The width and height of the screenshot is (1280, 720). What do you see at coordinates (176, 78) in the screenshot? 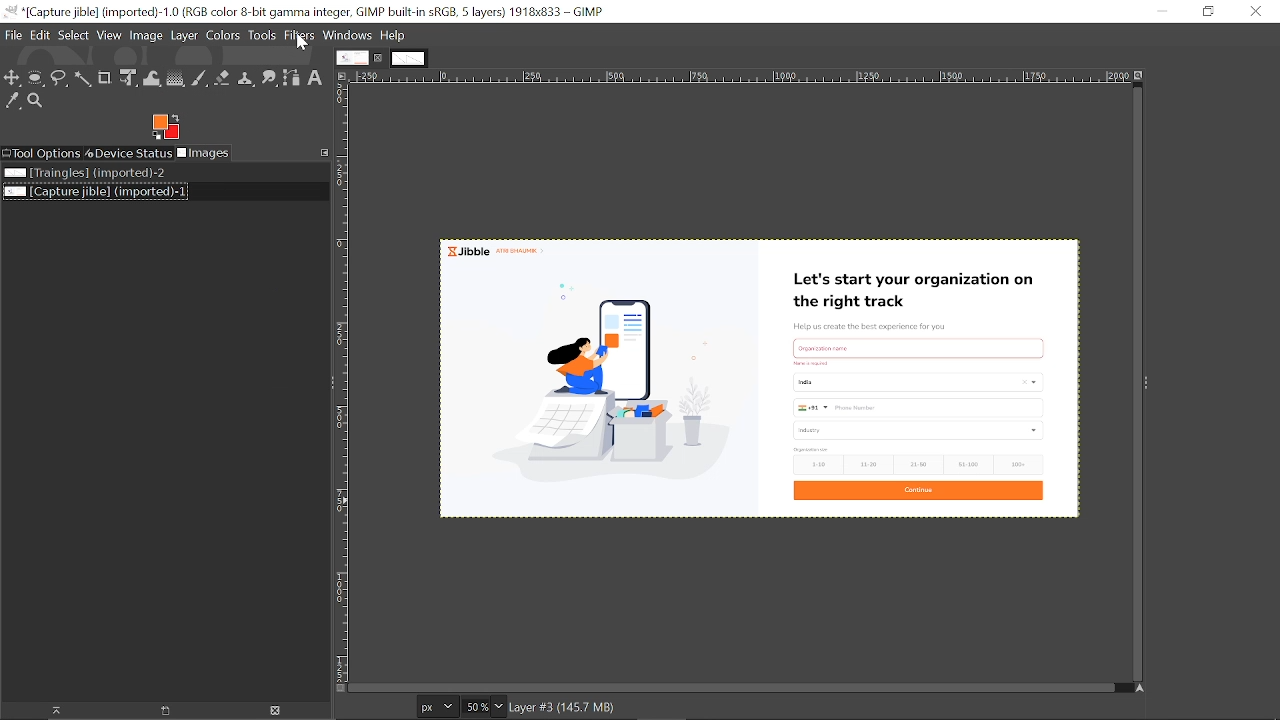
I see `Gradient tool` at bounding box center [176, 78].